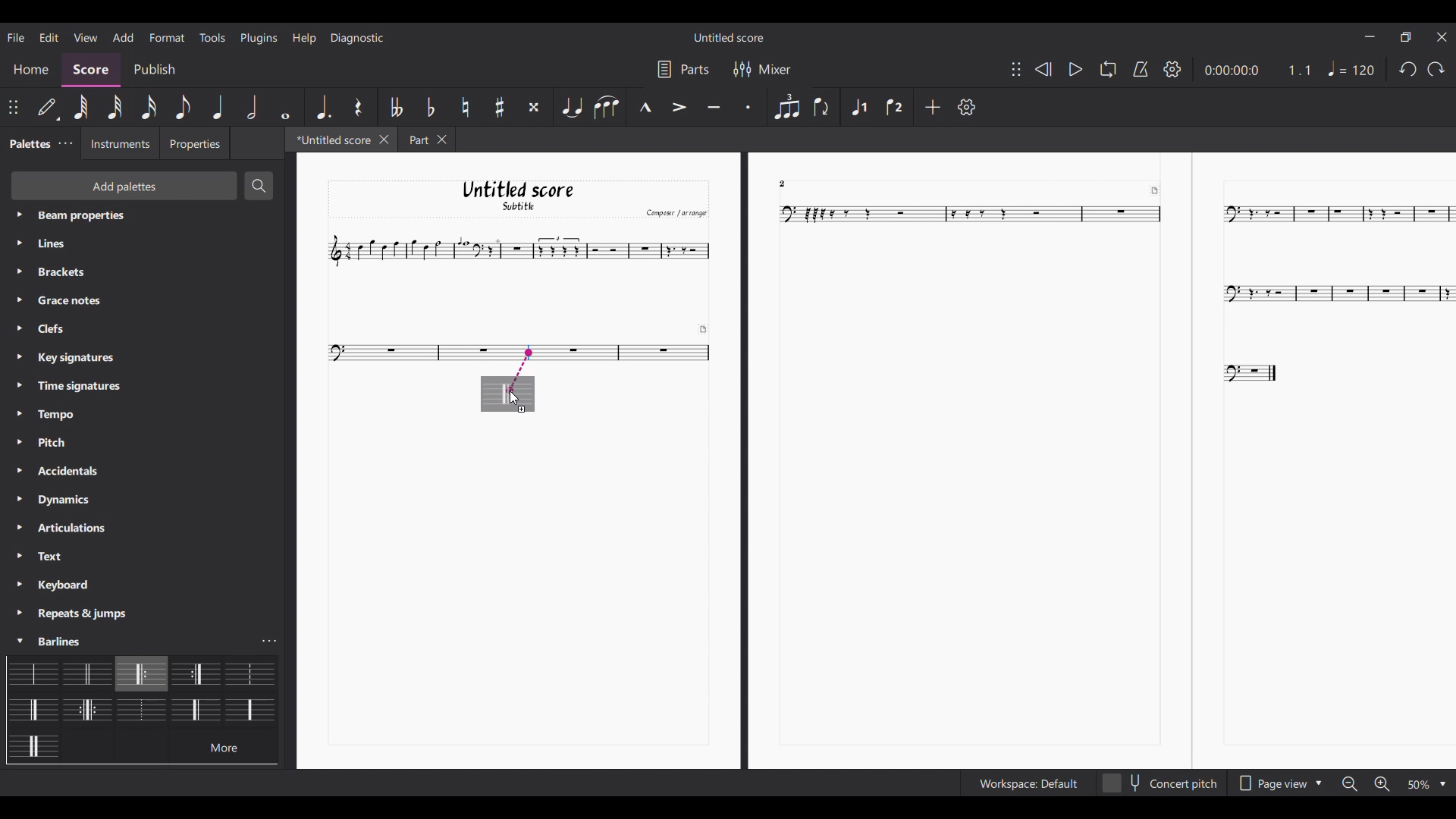 This screenshot has width=1456, height=819. I want to click on Score section, highlighted, so click(92, 71).